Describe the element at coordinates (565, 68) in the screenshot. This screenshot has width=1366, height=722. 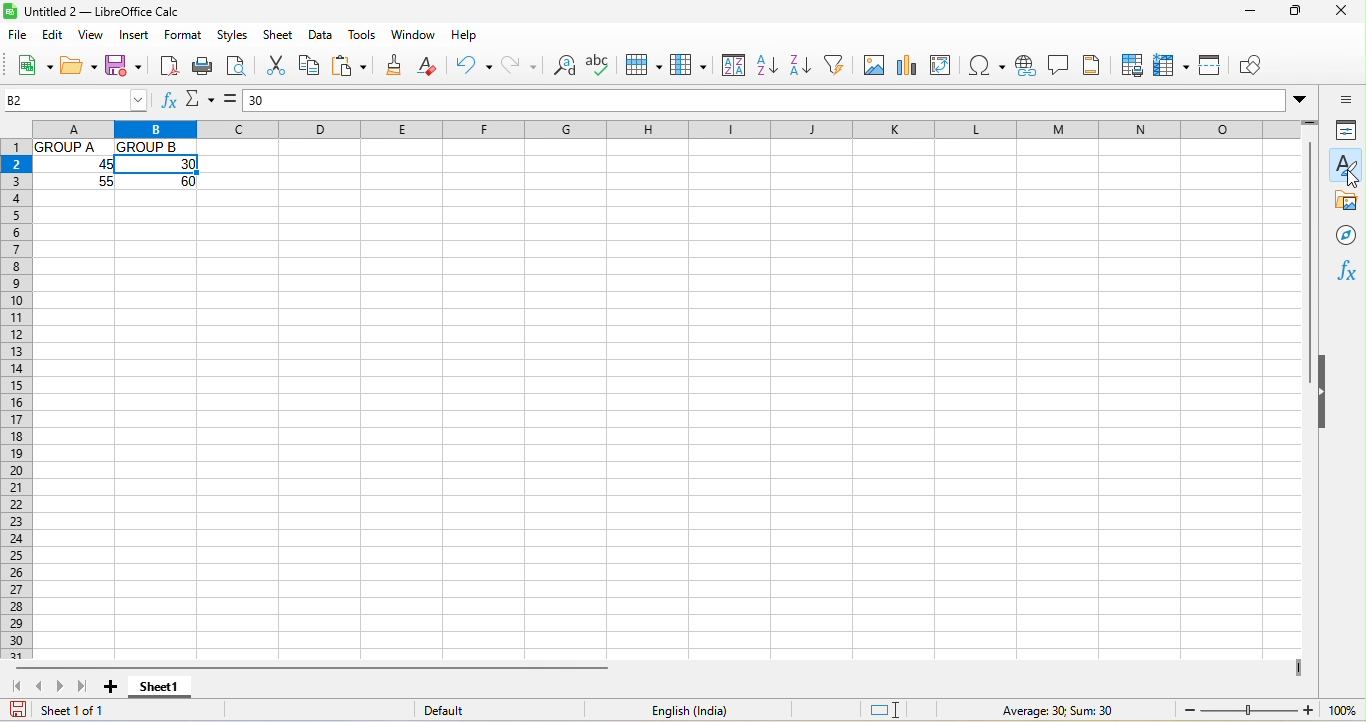
I see `find and replace` at that location.